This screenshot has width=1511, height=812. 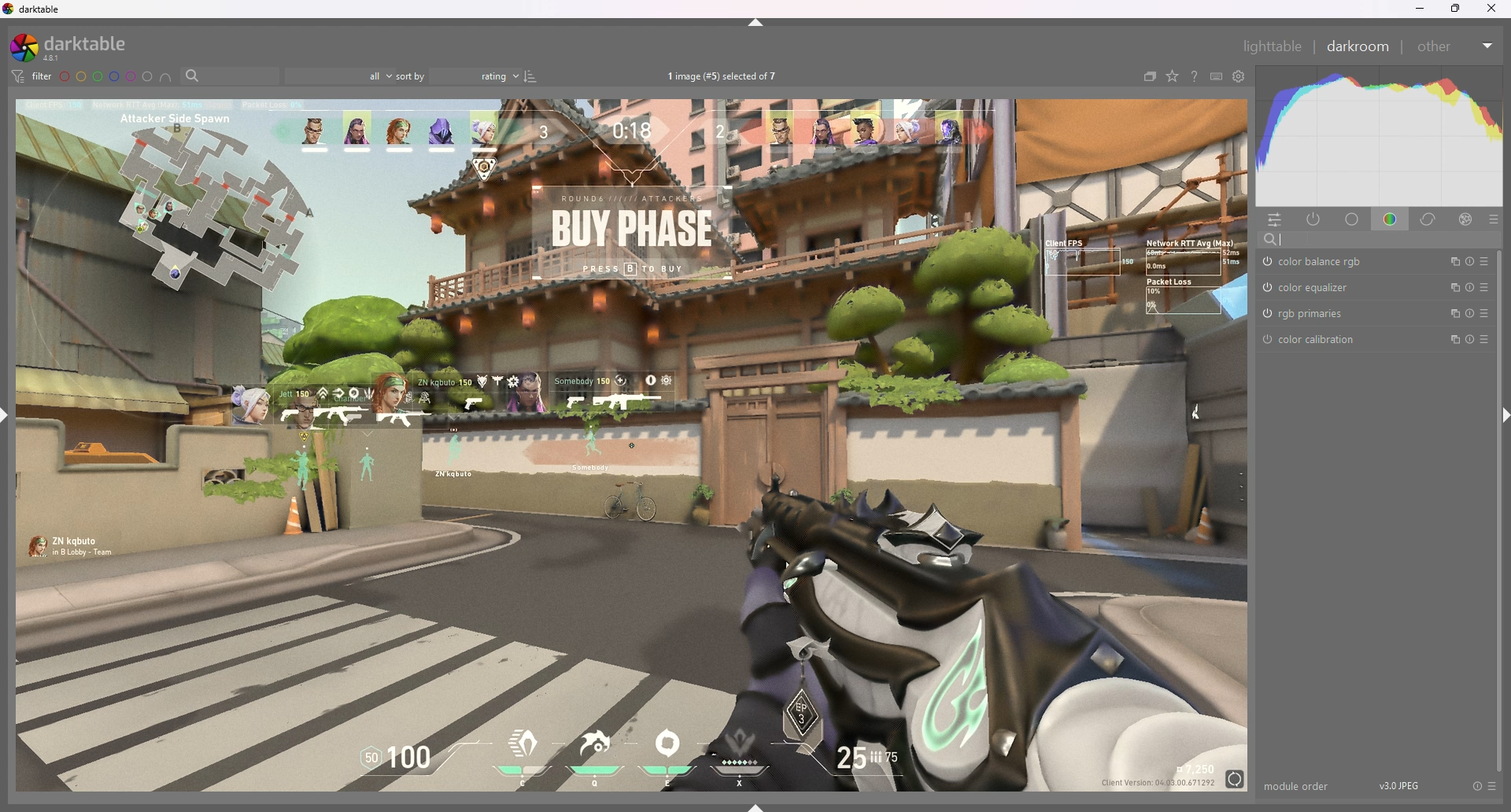 What do you see at coordinates (756, 23) in the screenshot?
I see `hide` at bounding box center [756, 23].